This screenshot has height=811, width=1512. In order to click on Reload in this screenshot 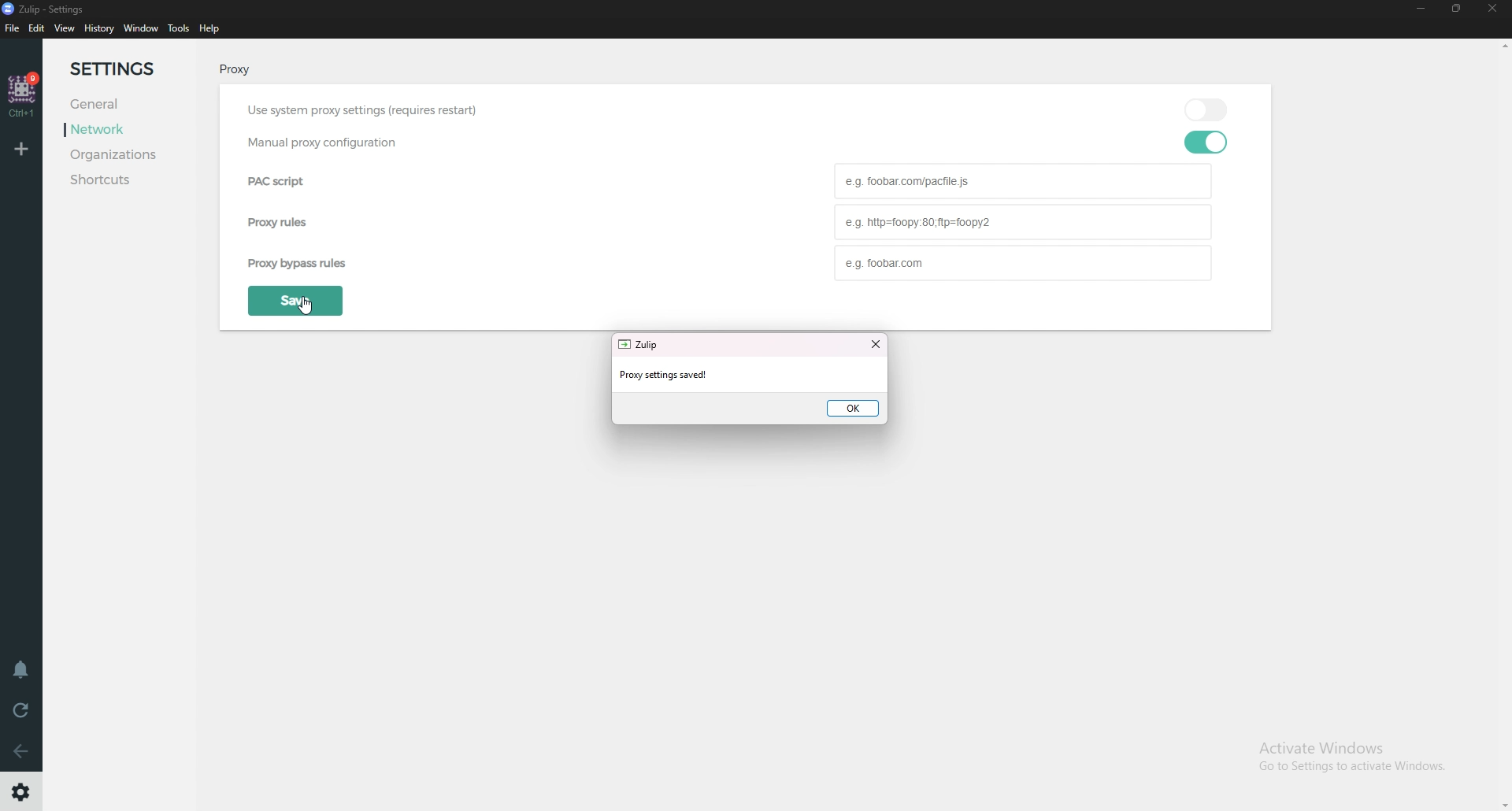, I will do `click(20, 709)`.